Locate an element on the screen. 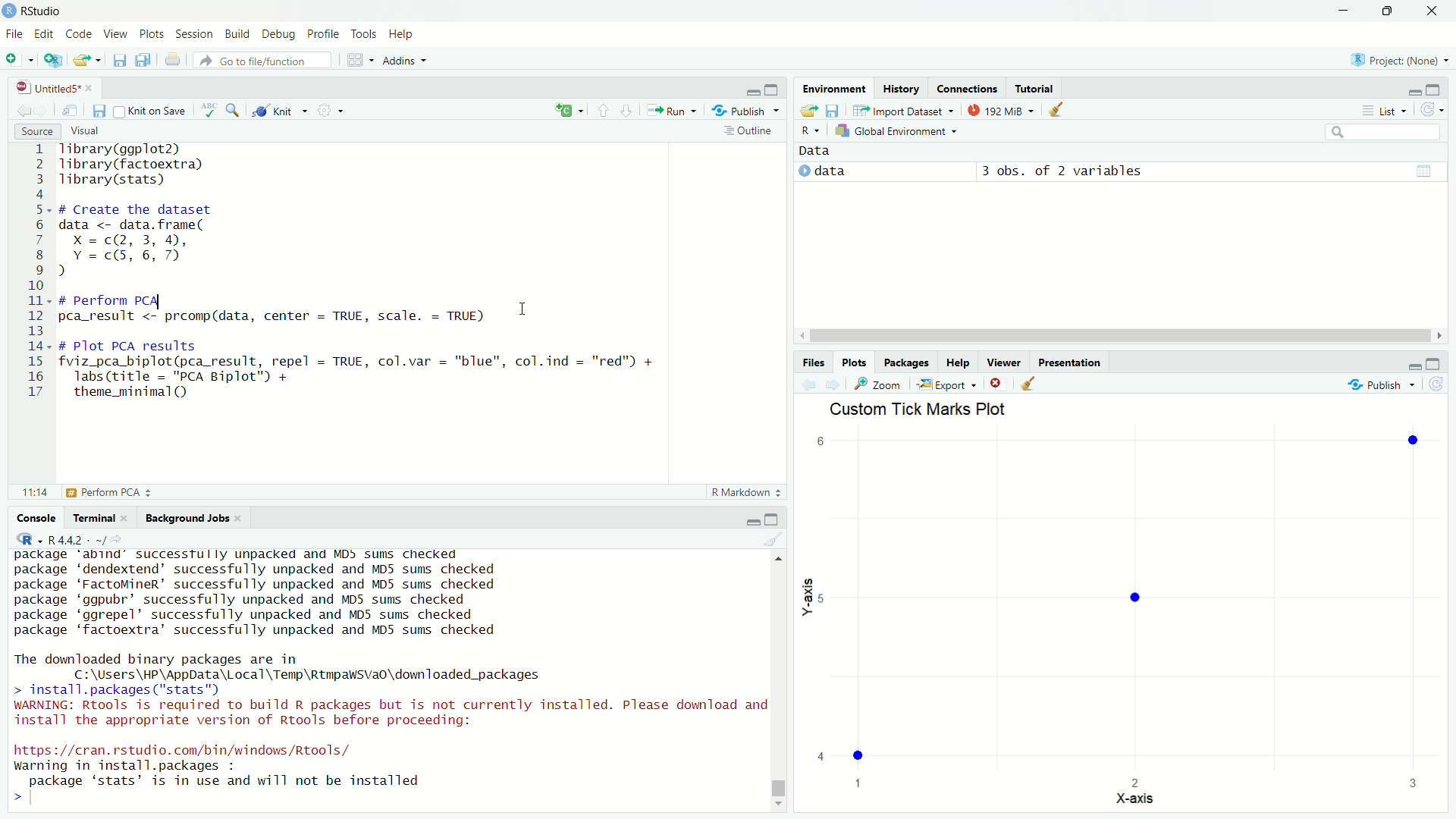 This screenshot has height=819, width=1456. package abind  successtully unpacked and MD> sums checked
package ‘dendextend’ successfully unpacked and MD5 sums checked
package ‘FactoMineR’ successfully unpacked and MD5 sums checked
package ‘ggpubr’ successfully unpacked and MD5 sums checked
package ‘ggrepel’ successfully unpacked and MD5 sums checked
package ‘factoextra’ successfully unpacked and MD5 sums checked
The downloaded binary packages are in
C:\Users\HP\AppData\Local\Temp\RtmpawSva0o\downloaded_packages

> install.packages ("stats")
WARNING: Rtools is required to build R packages but is not currently installed. Please download and
install the appropriate version of Rtools before proceeding:
https://cran.rstudio.com/bin/windows /Rtools/
warning in install.packages :

package ‘stats’ is in use and will not be installed
> is located at coordinates (389, 677).